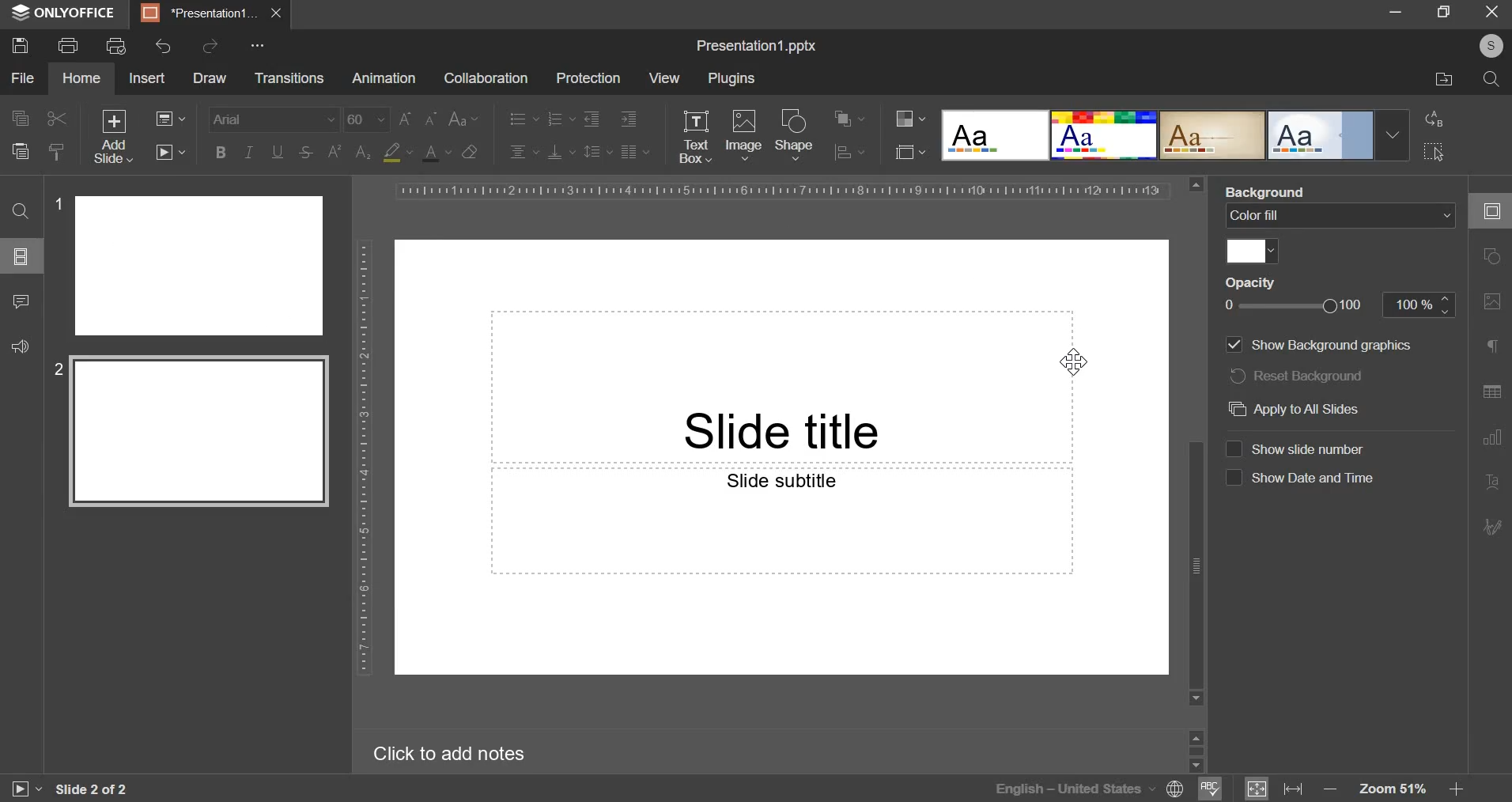  Describe the element at coordinates (289, 79) in the screenshot. I see `transitions` at that location.